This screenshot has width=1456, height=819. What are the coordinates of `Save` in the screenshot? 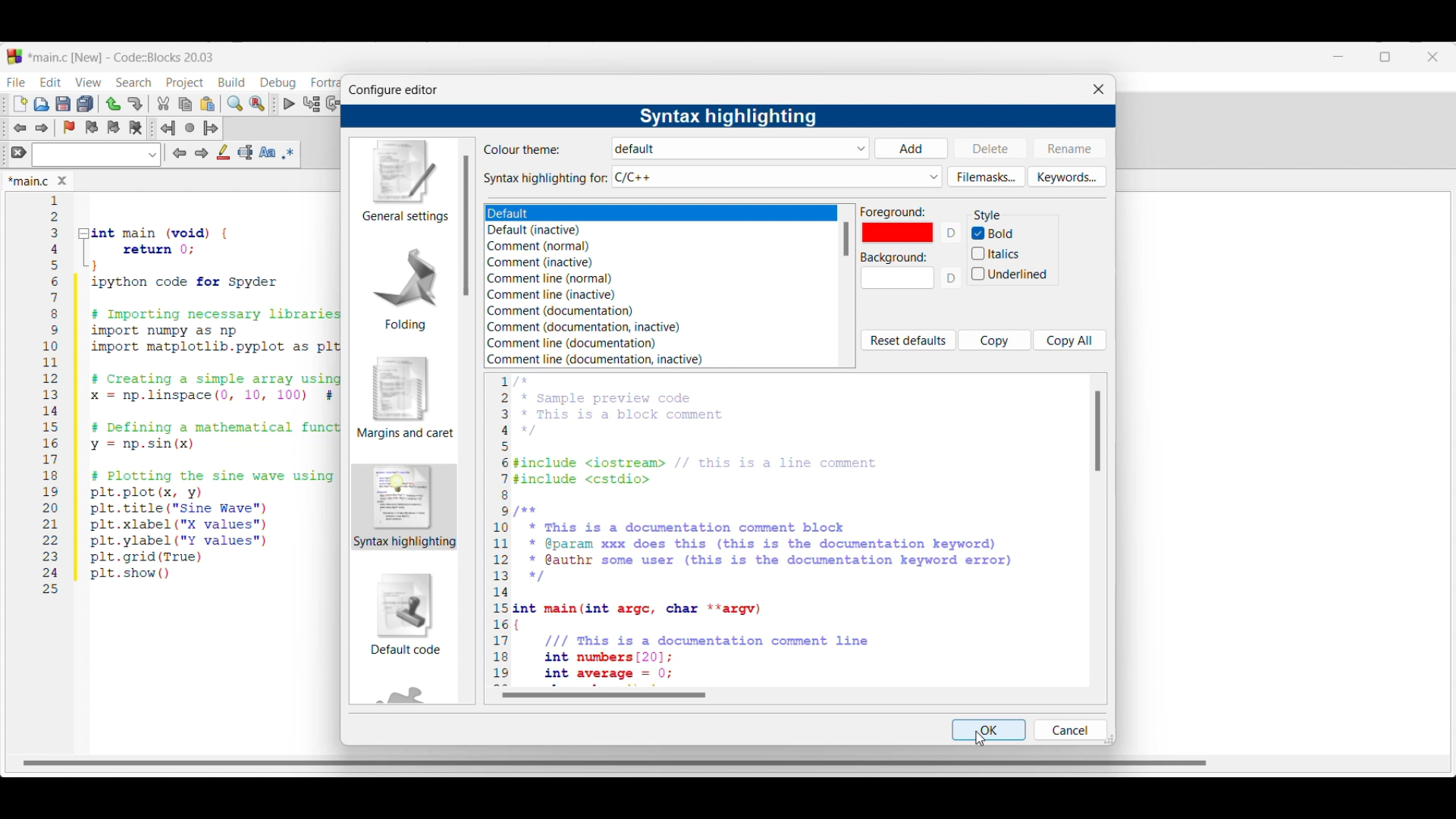 It's located at (63, 104).